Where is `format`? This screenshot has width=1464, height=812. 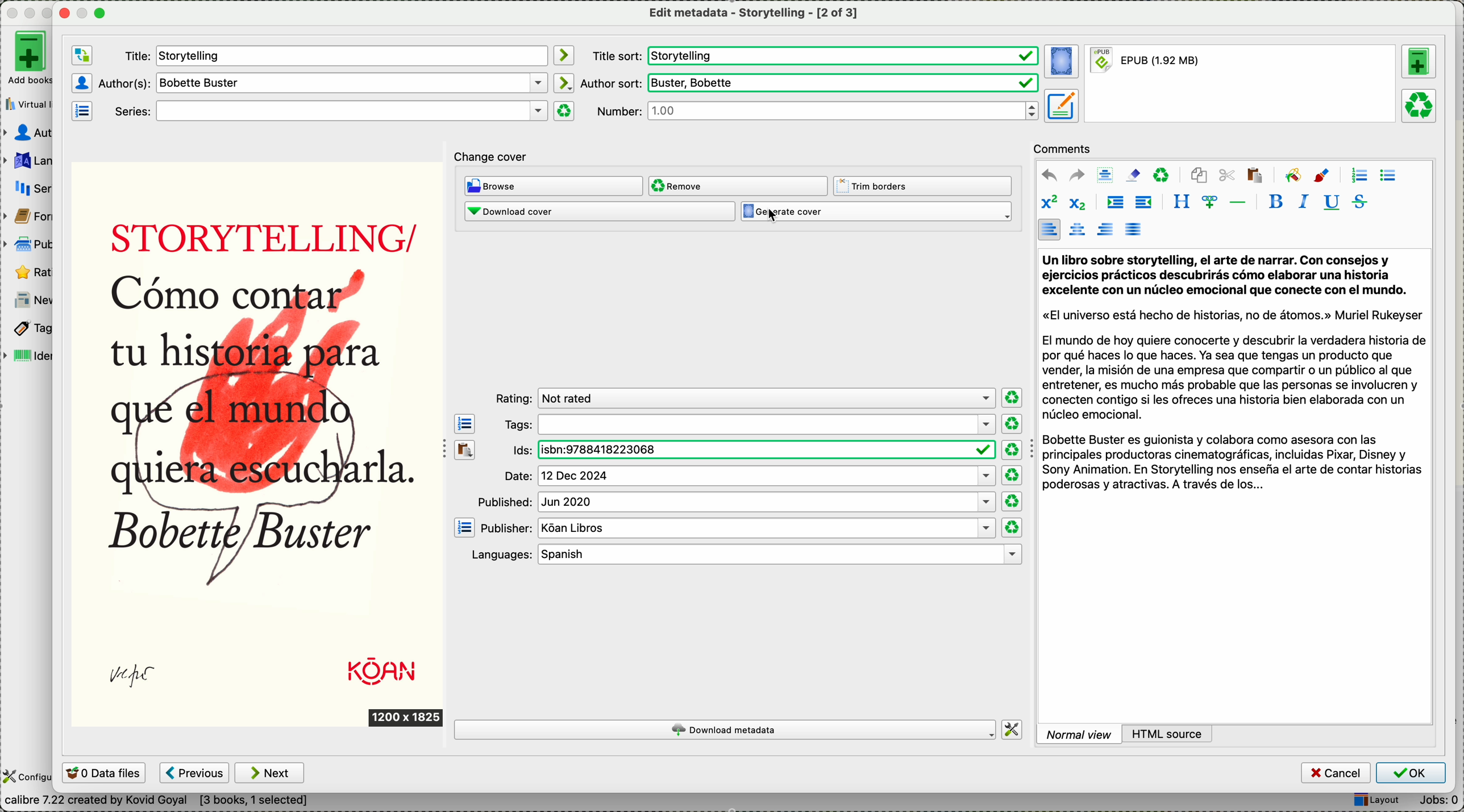
format is located at coordinates (1240, 85).